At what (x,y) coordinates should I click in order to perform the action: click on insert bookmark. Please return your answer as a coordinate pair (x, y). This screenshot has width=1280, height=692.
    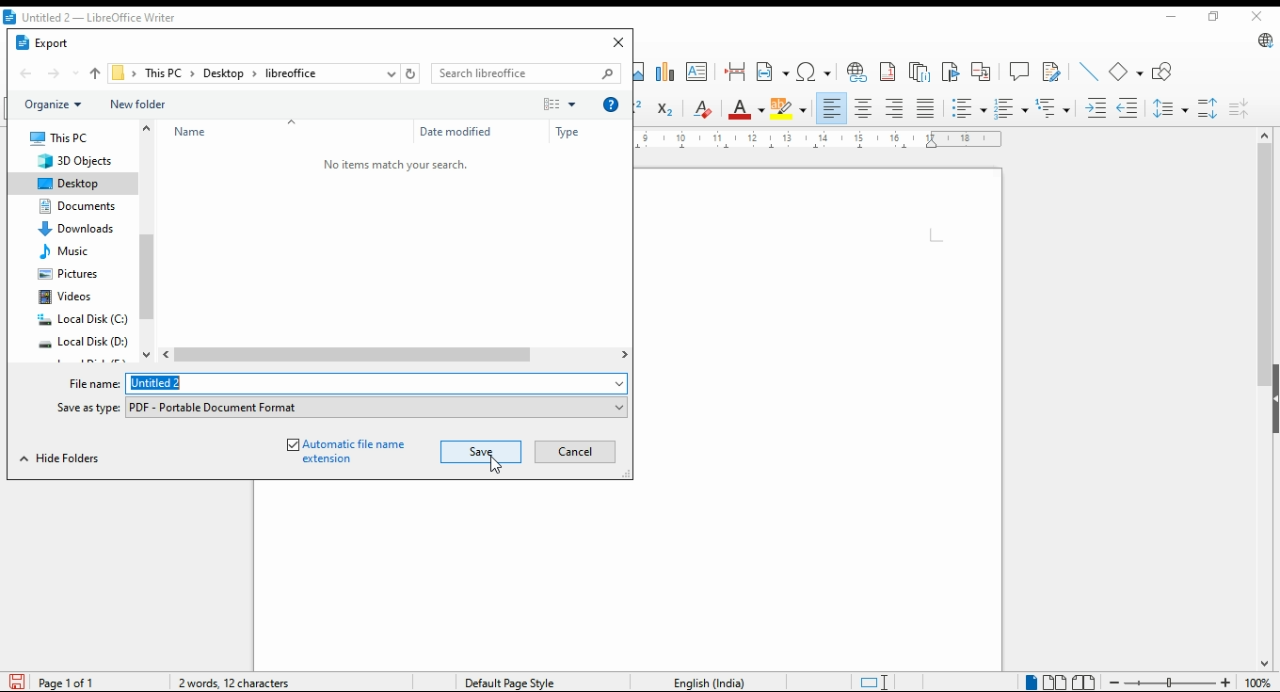
    Looking at the image, I should click on (951, 69).